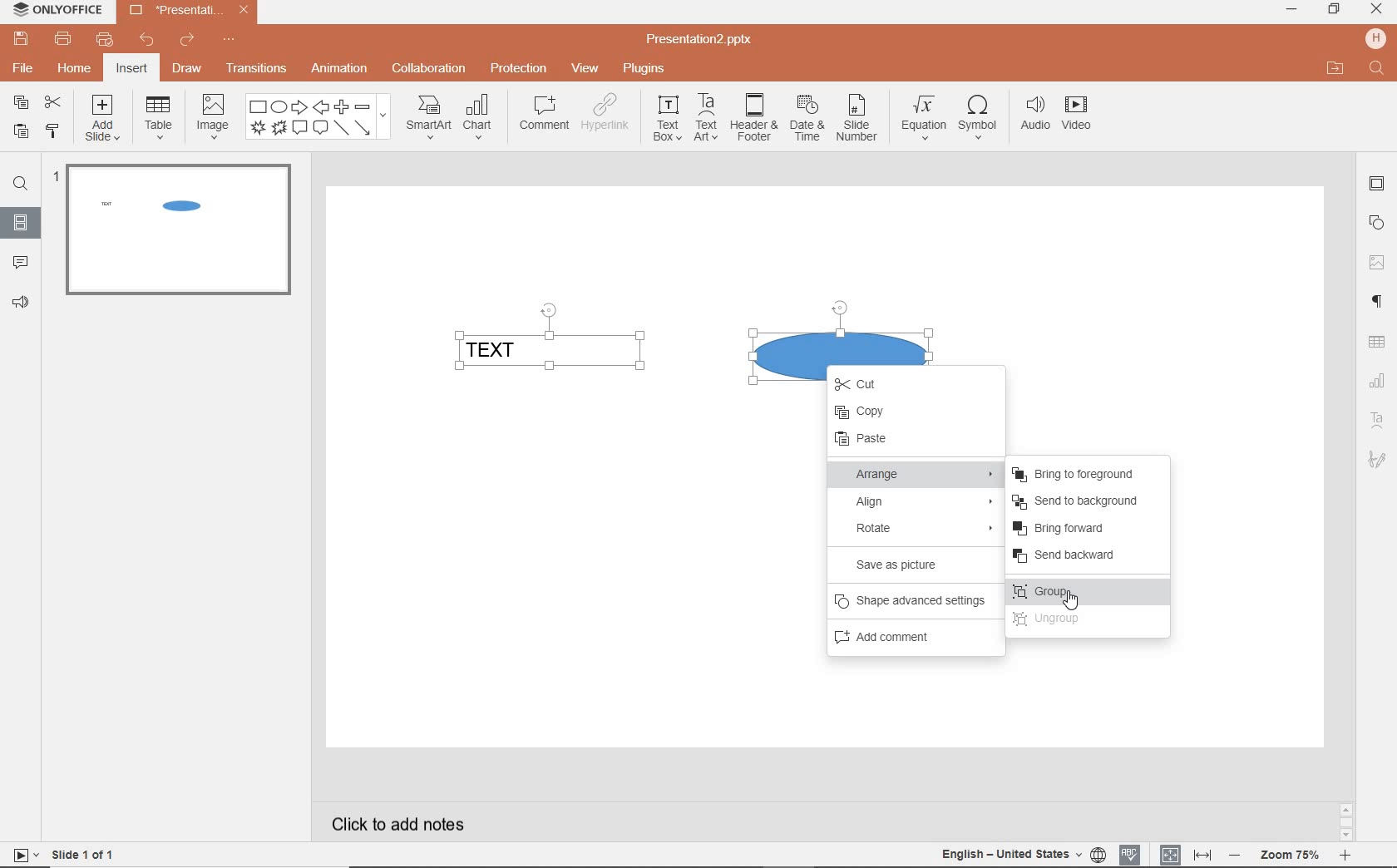 This screenshot has height=868, width=1397. I want to click on CURSOR, so click(1069, 599).